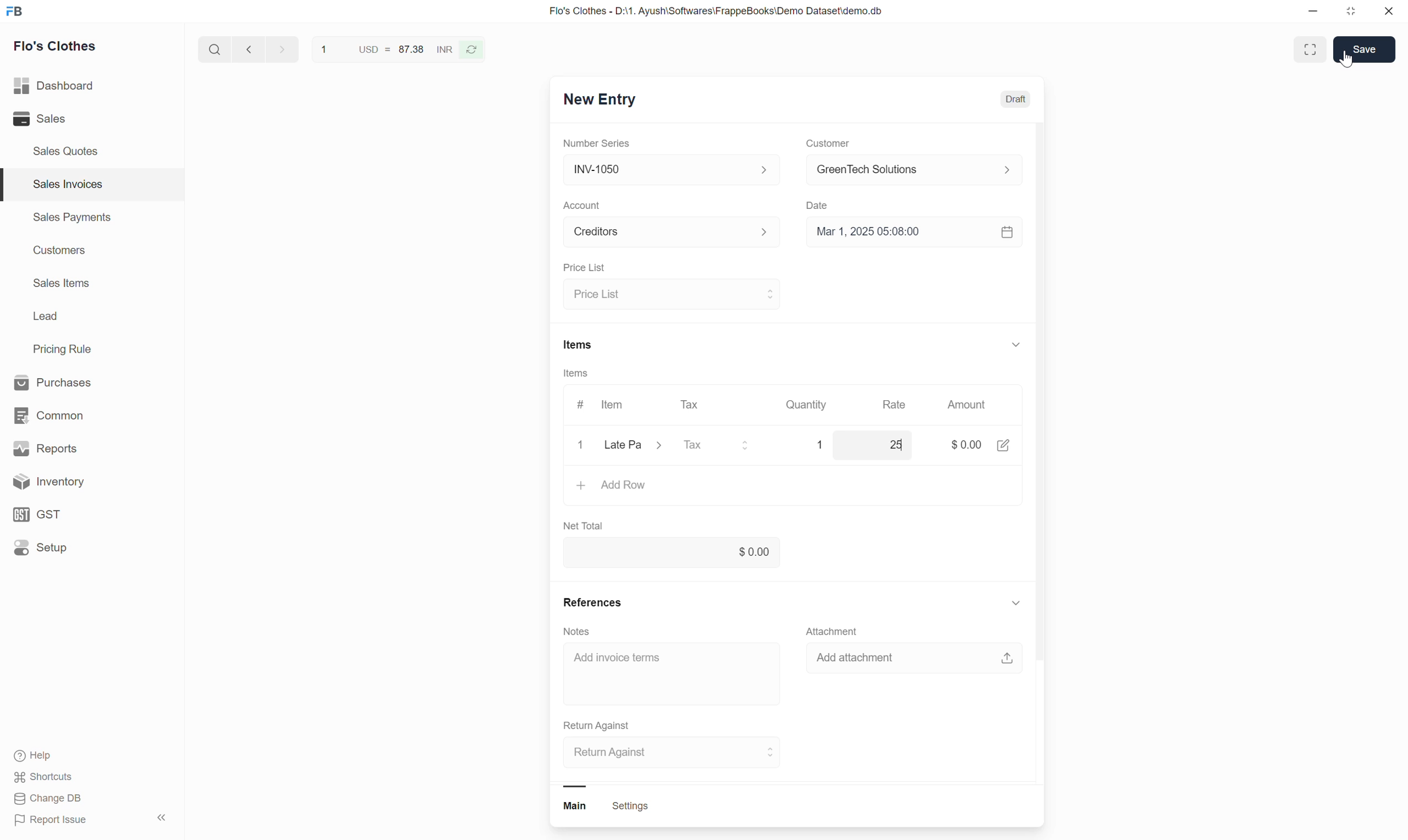 This screenshot has width=1408, height=840. What do you see at coordinates (384, 50) in the screenshot?
I see `USD = 87.38 INR` at bounding box center [384, 50].